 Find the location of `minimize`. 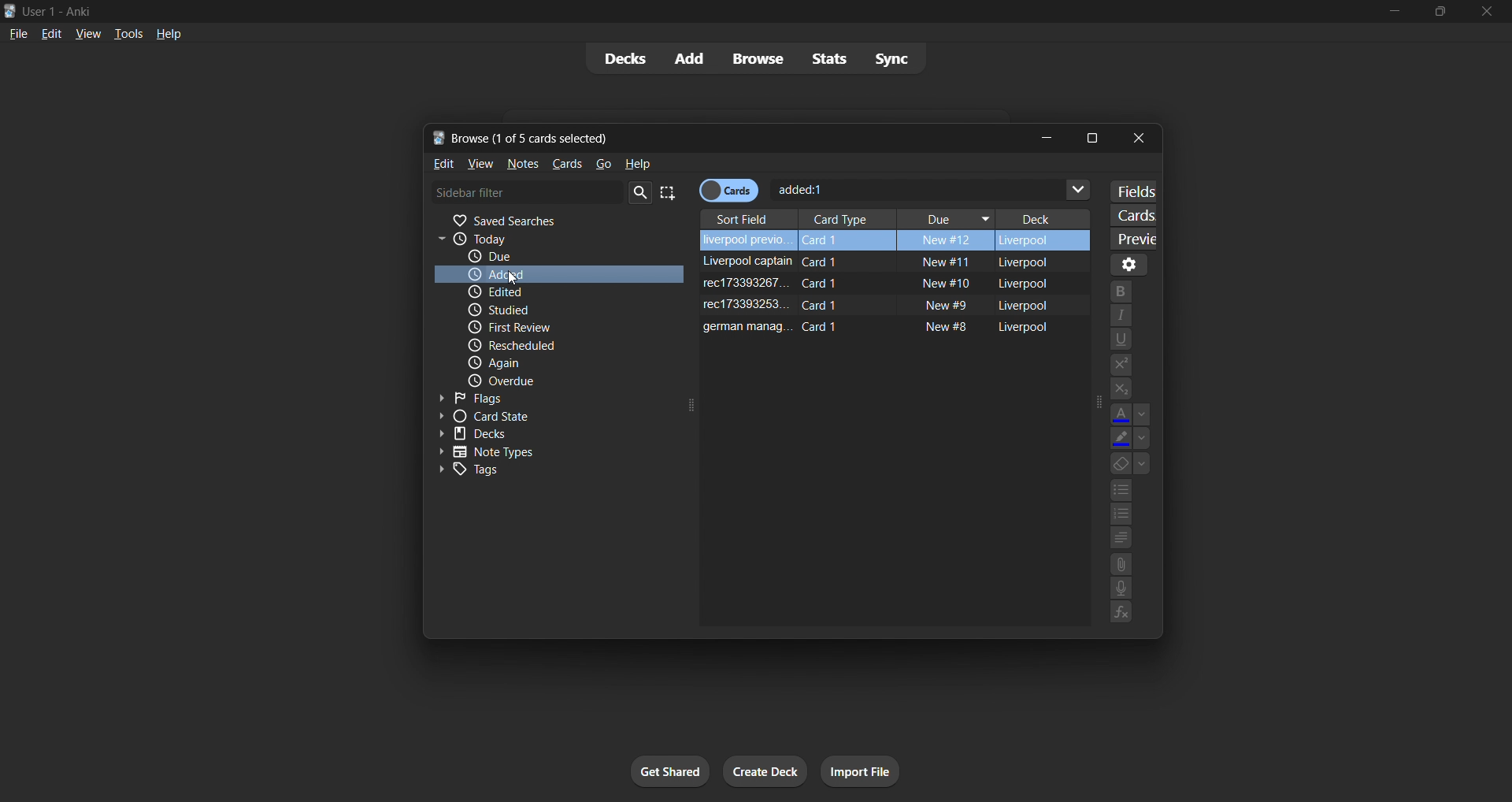

minimize is located at coordinates (1045, 136).